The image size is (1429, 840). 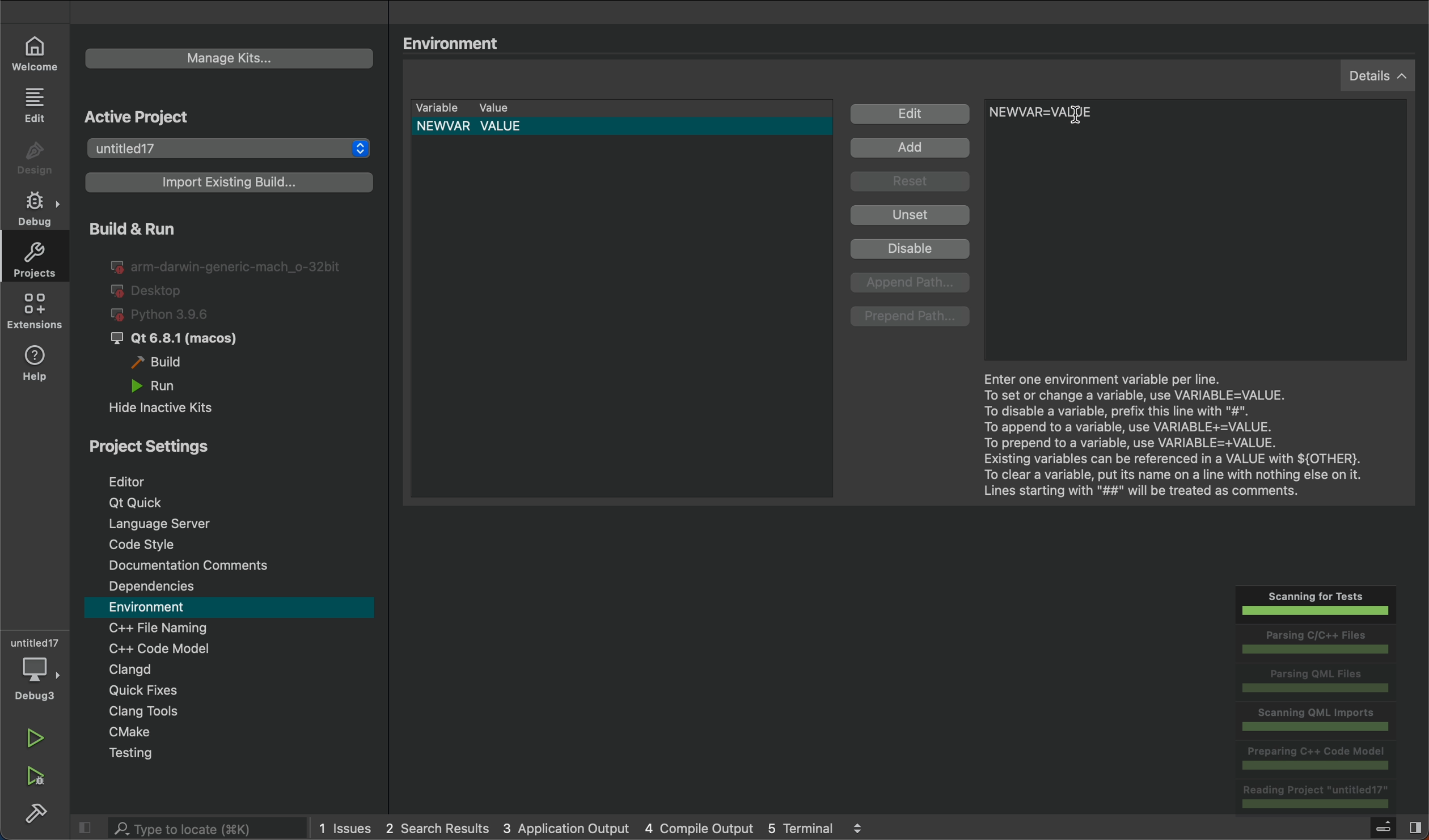 What do you see at coordinates (239, 732) in the screenshot?
I see `cmake` at bounding box center [239, 732].